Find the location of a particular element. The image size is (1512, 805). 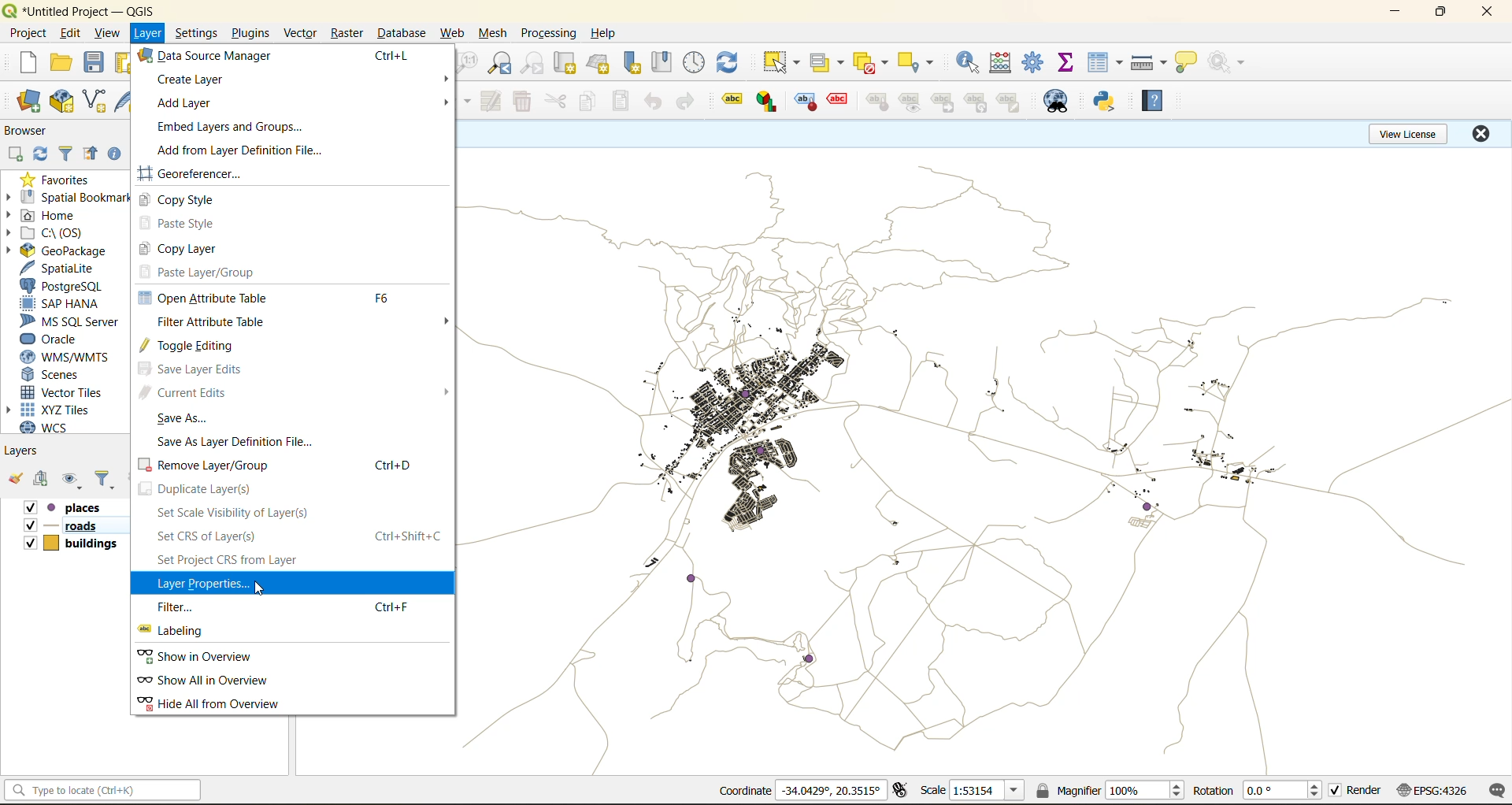

label tool 9 is located at coordinates (1011, 104).